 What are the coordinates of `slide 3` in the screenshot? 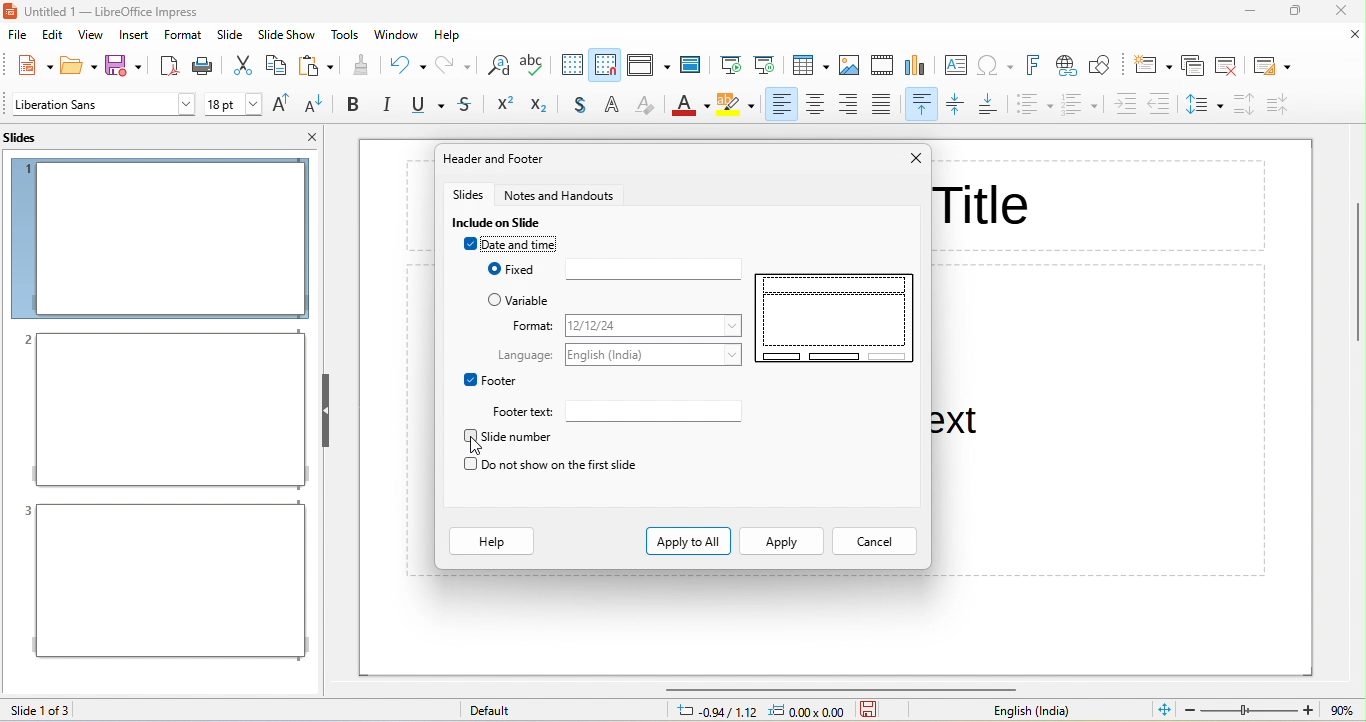 It's located at (163, 581).